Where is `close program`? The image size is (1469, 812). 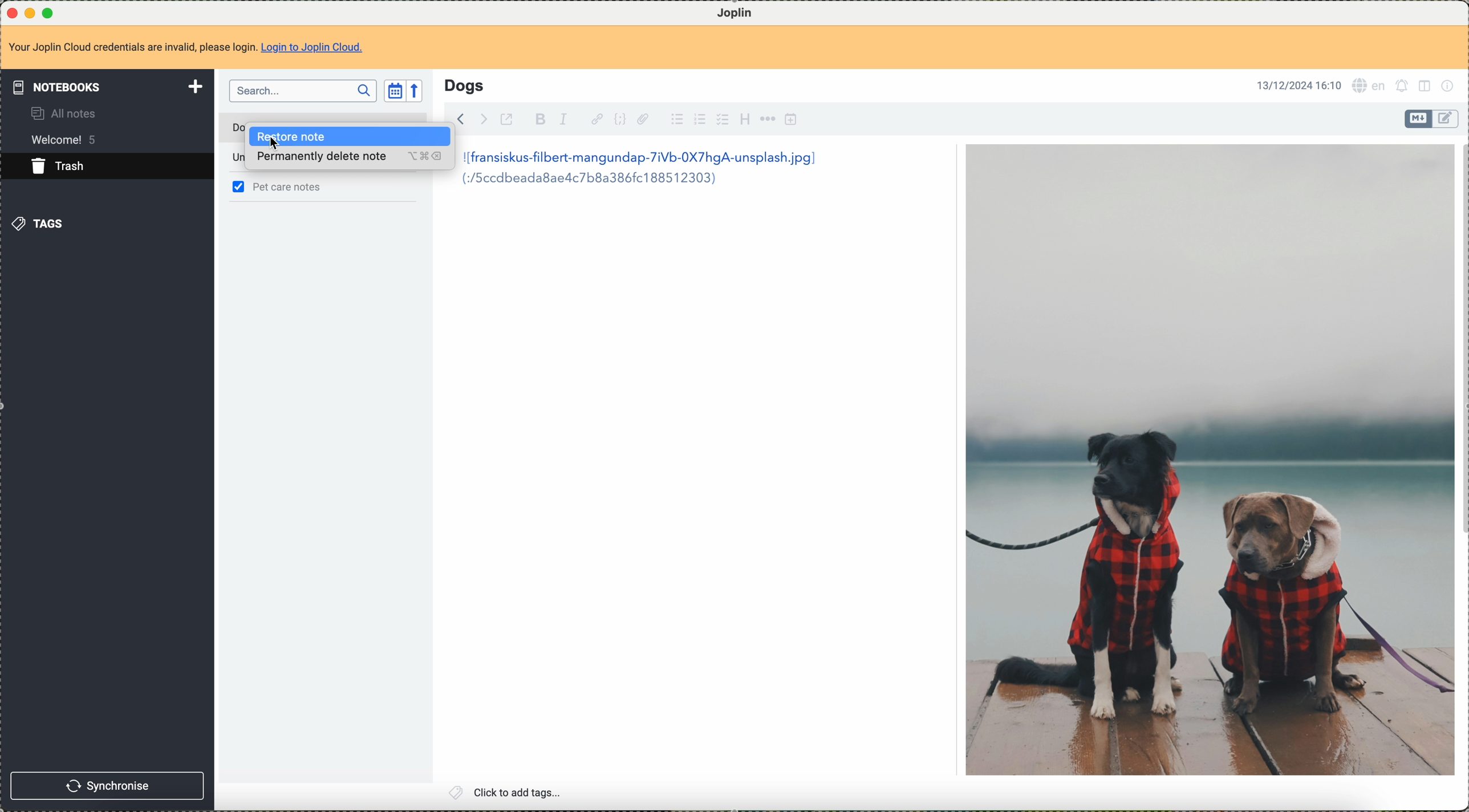 close program is located at coordinates (11, 11).